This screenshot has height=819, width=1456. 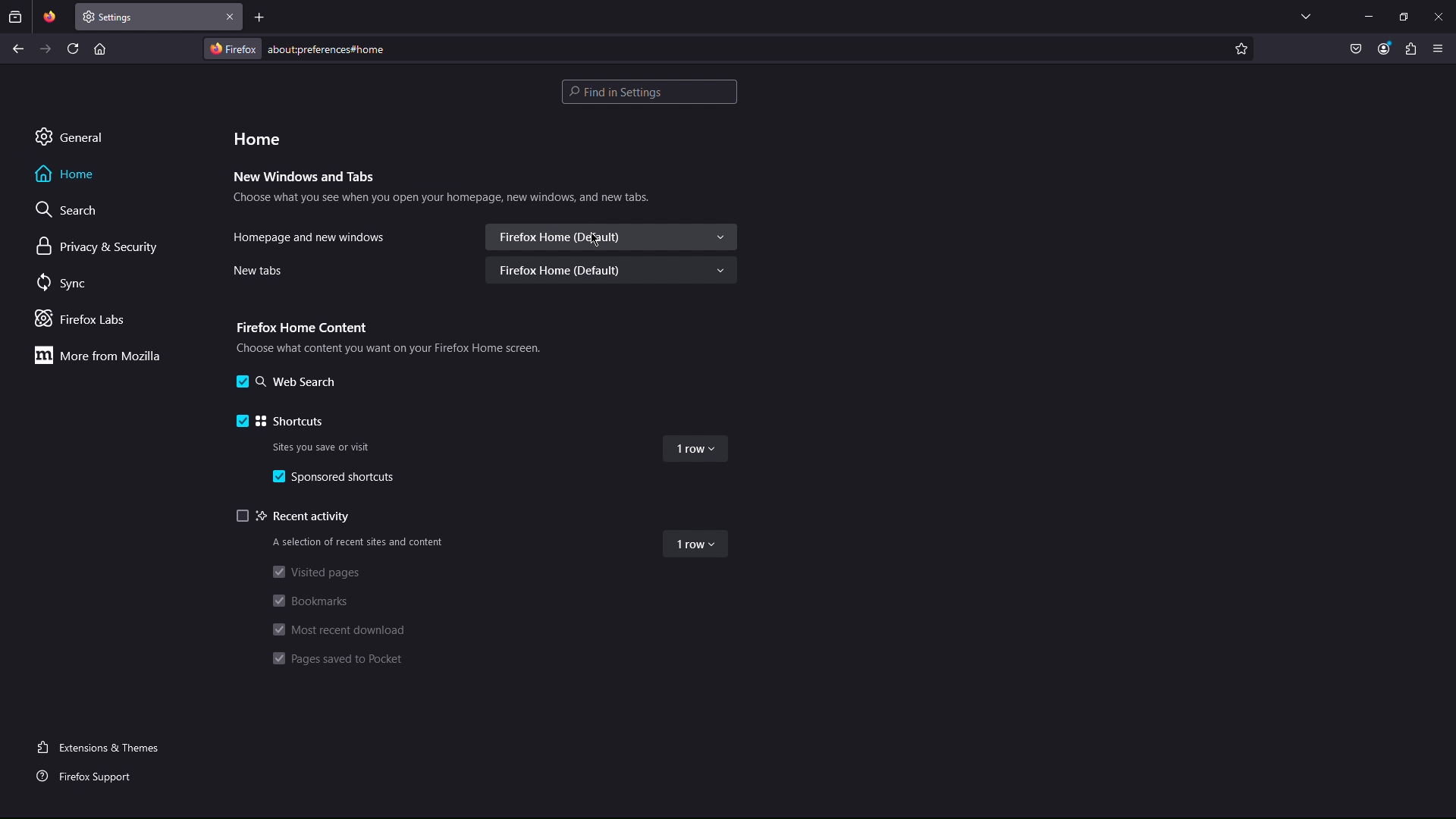 I want to click on General, so click(x=69, y=136).